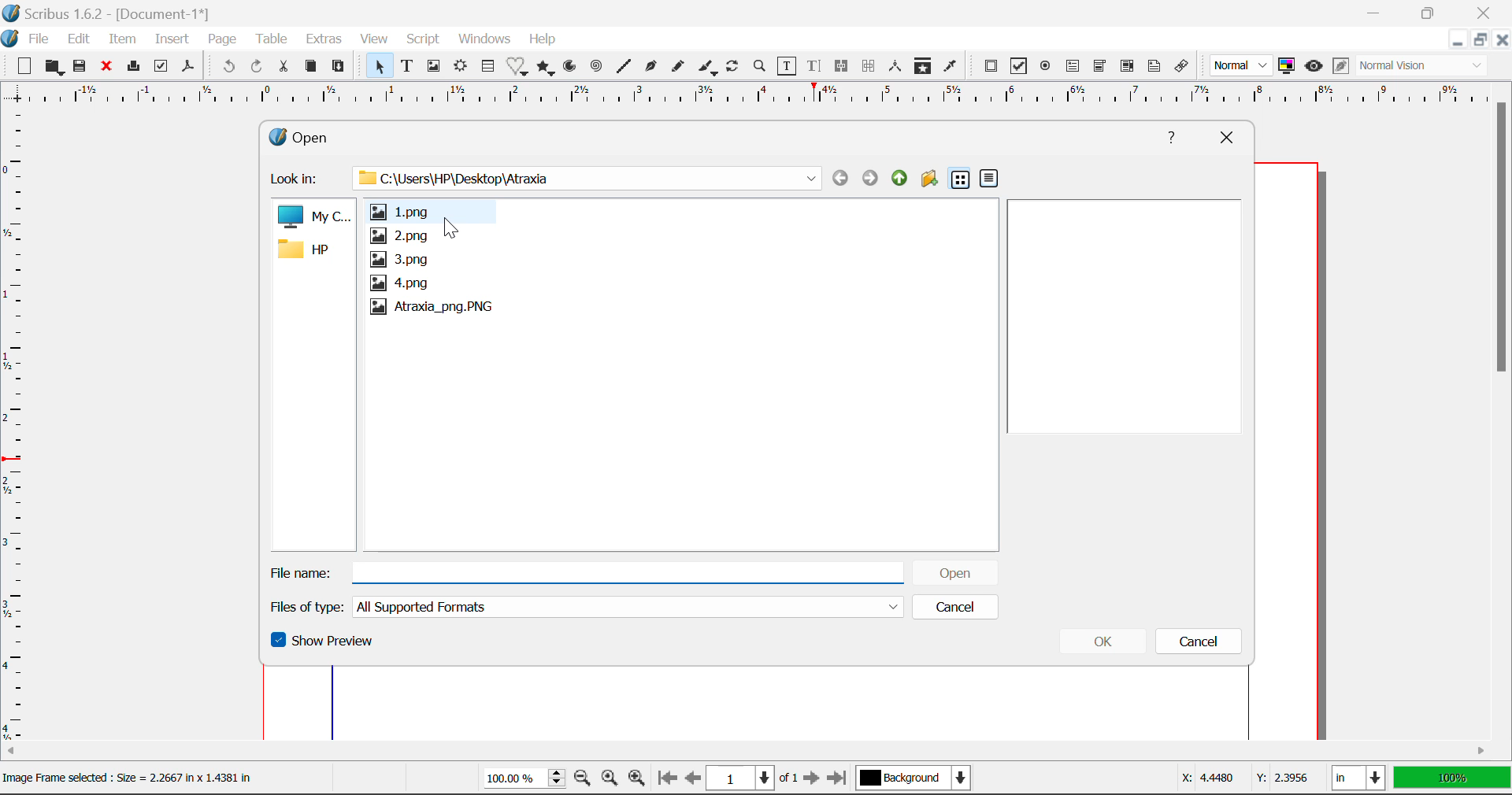 This screenshot has width=1512, height=795. What do you see at coordinates (1206, 778) in the screenshot?
I see `X: 4.4480` at bounding box center [1206, 778].